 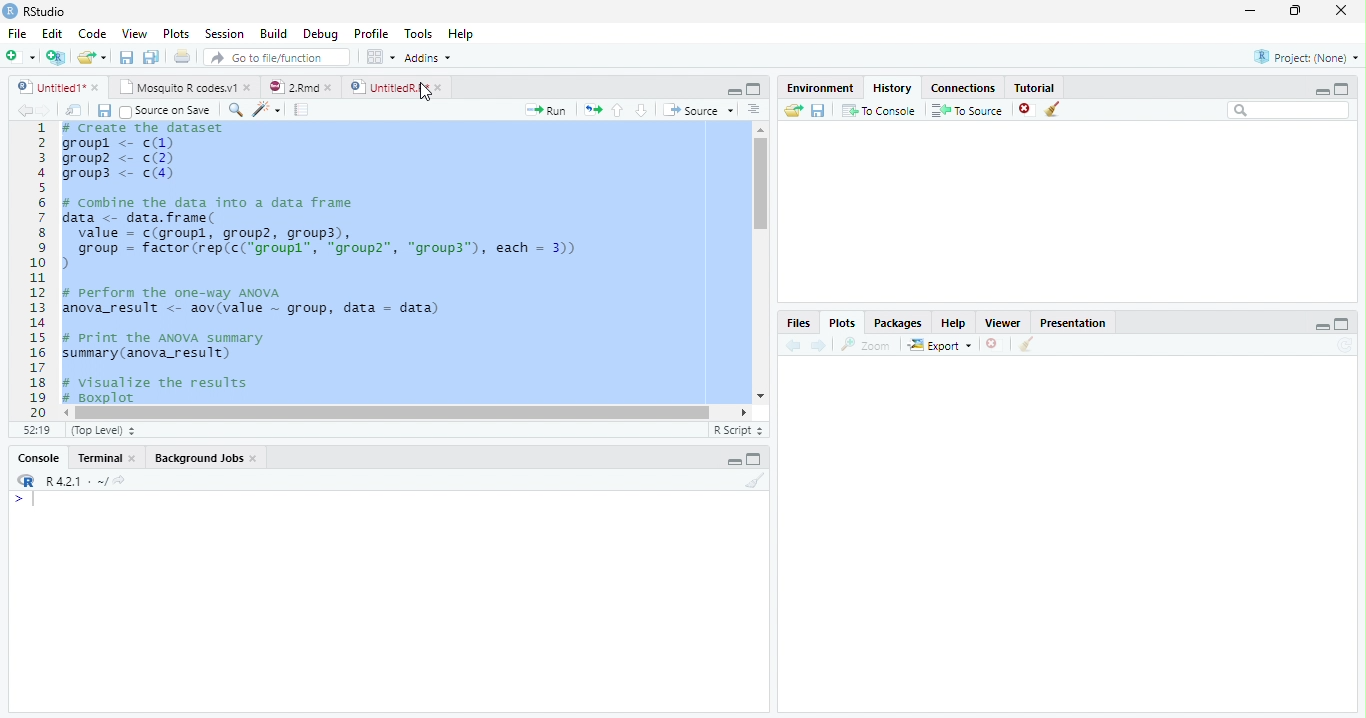 I want to click on View, so click(x=134, y=35).